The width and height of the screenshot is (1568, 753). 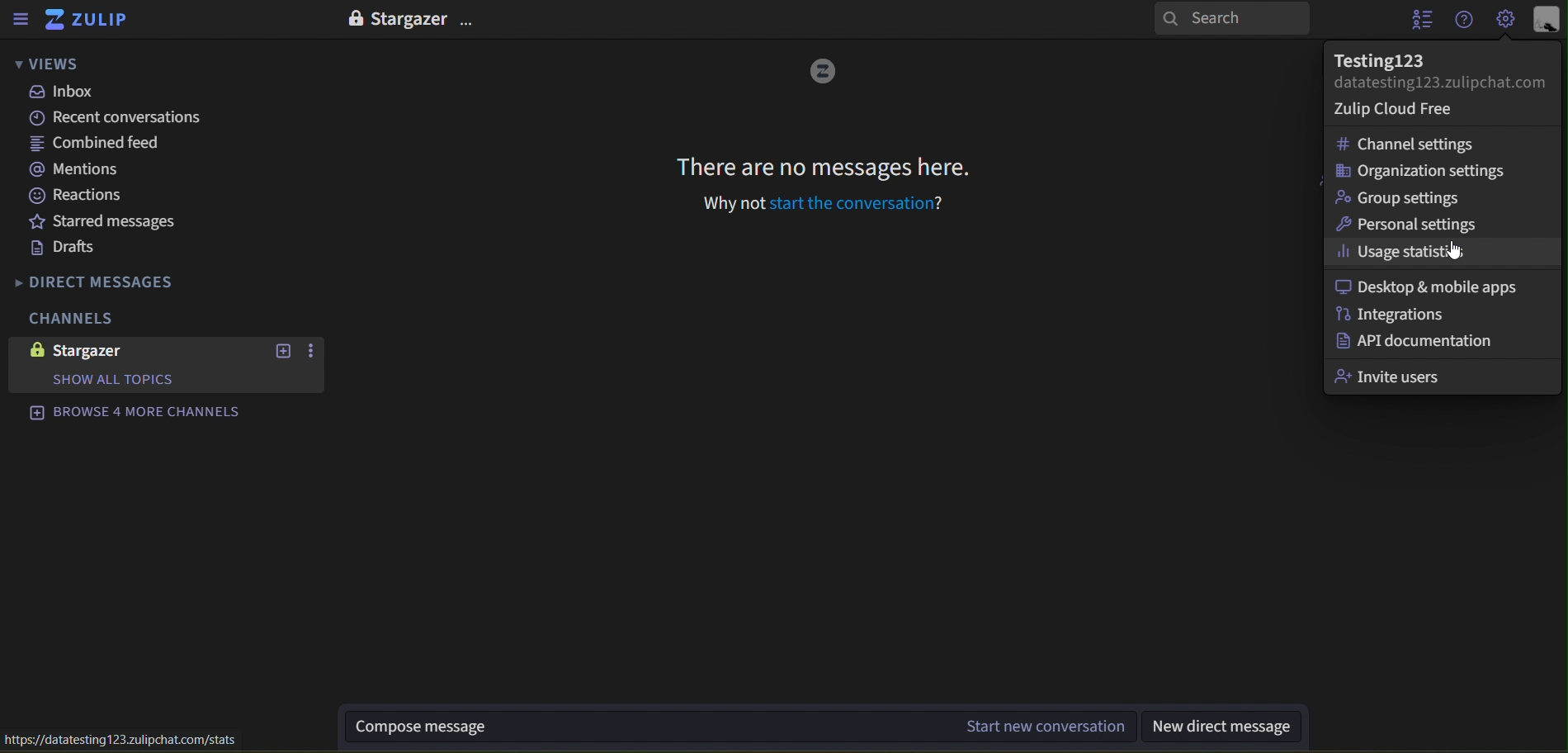 What do you see at coordinates (72, 318) in the screenshot?
I see `channels` at bounding box center [72, 318].